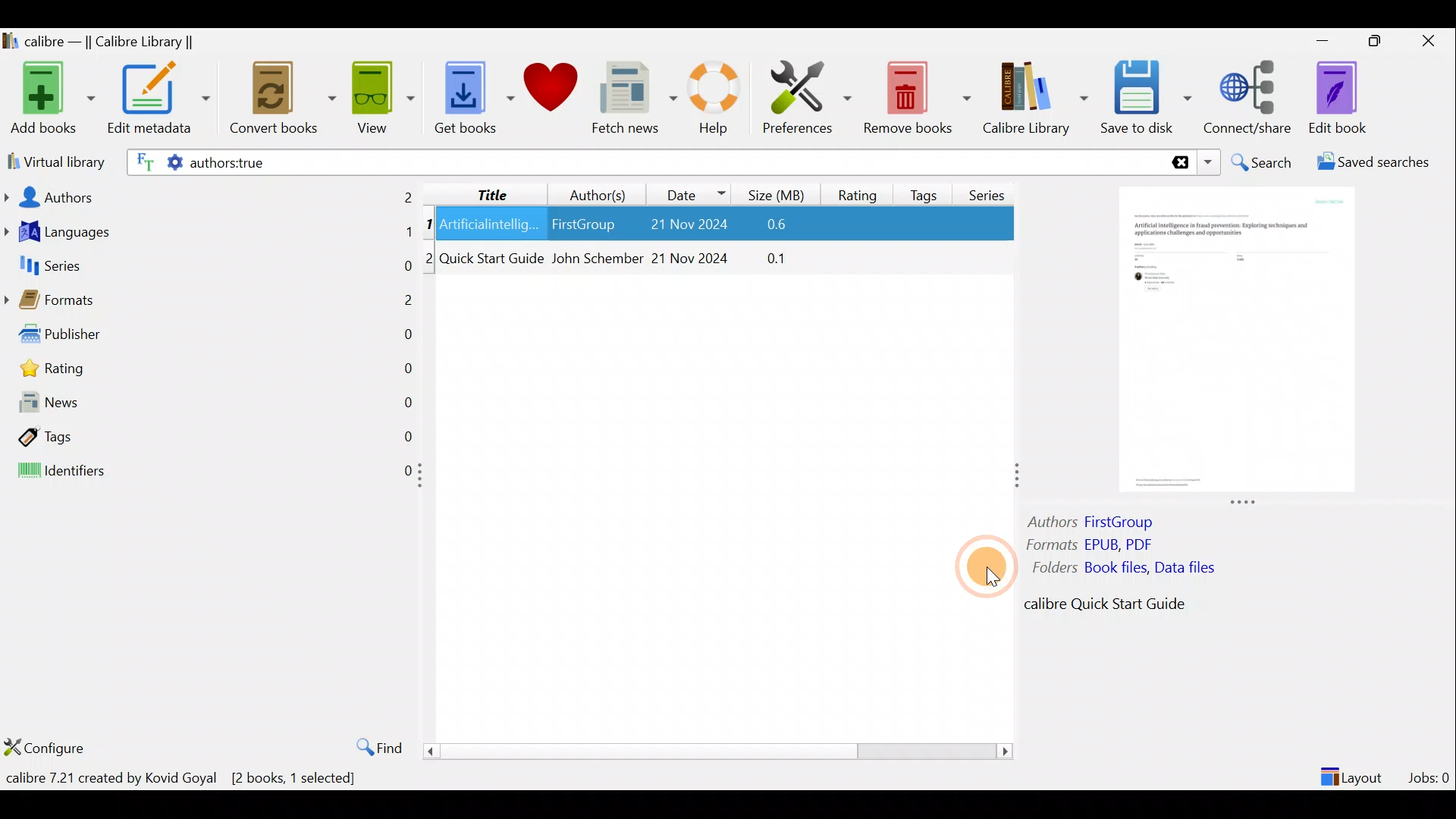 Image resolution: width=1456 pixels, height=819 pixels. What do you see at coordinates (635, 102) in the screenshot?
I see `Fetch news` at bounding box center [635, 102].